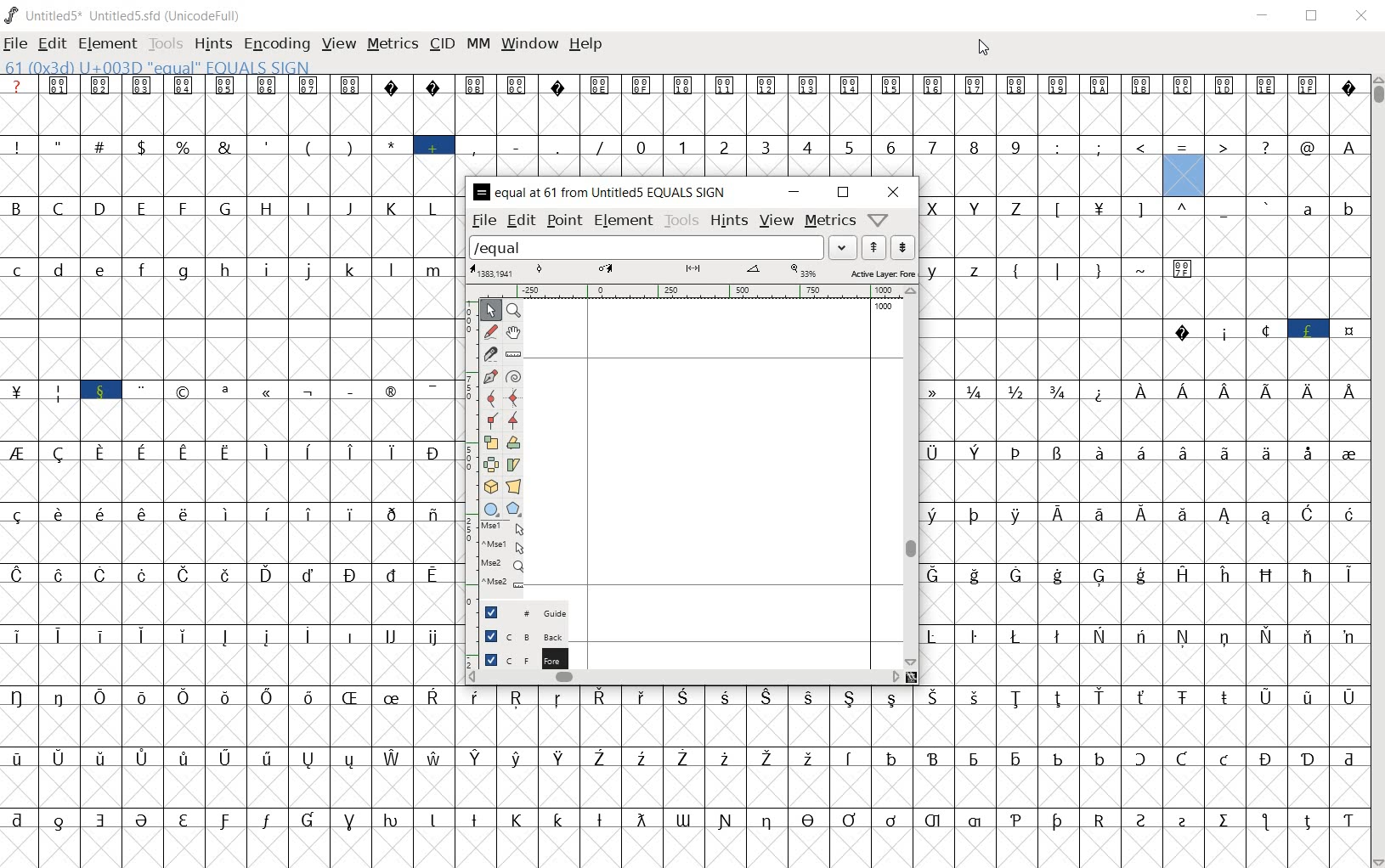 This screenshot has width=1385, height=868. Describe the element at coordinates (913, 775) in the screenshot. I see `glyph characters` at that location.